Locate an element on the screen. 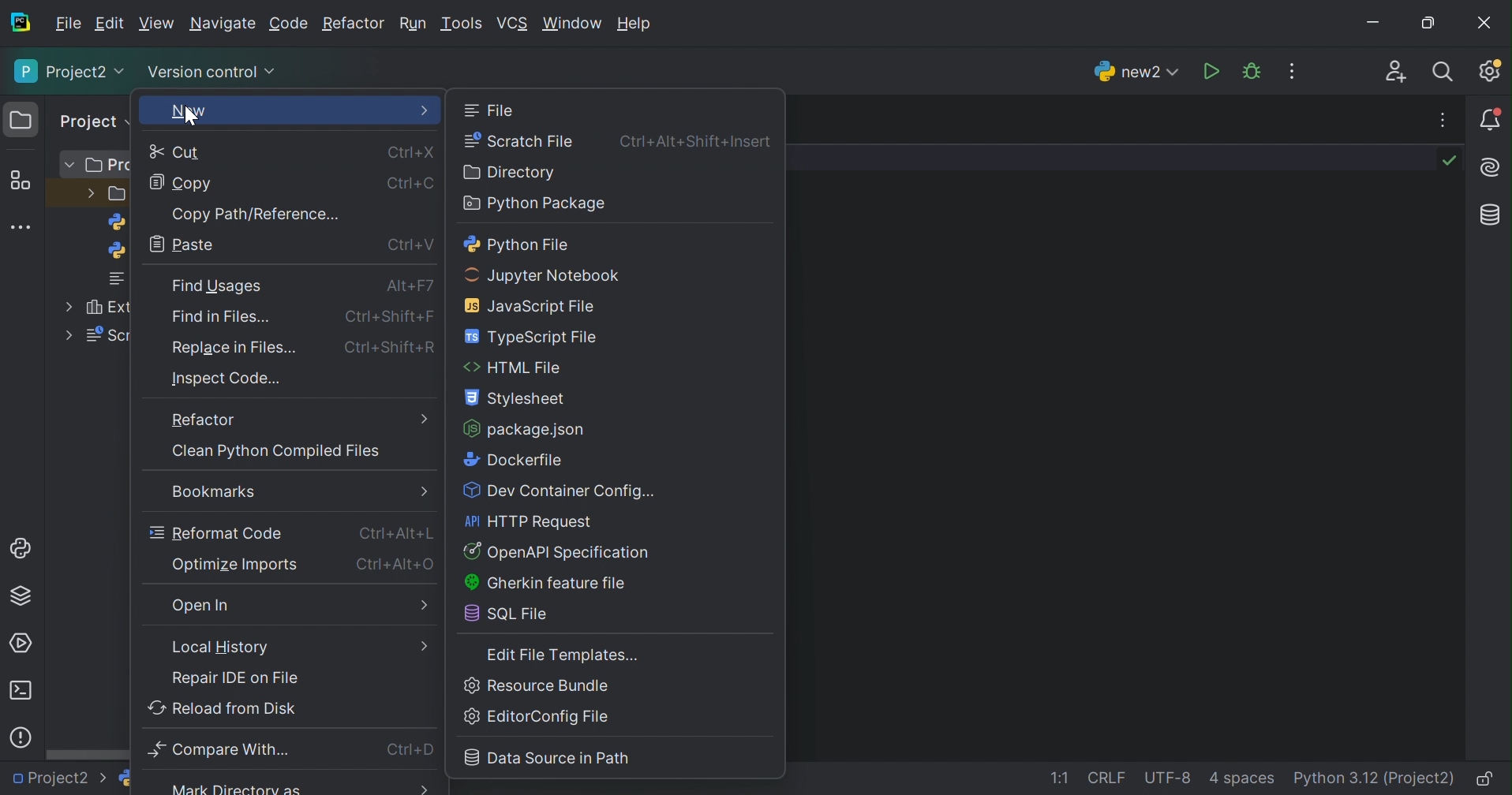 This screenshot has height=795, width=1512. Stylesheet is located at coordinates (518, 397).